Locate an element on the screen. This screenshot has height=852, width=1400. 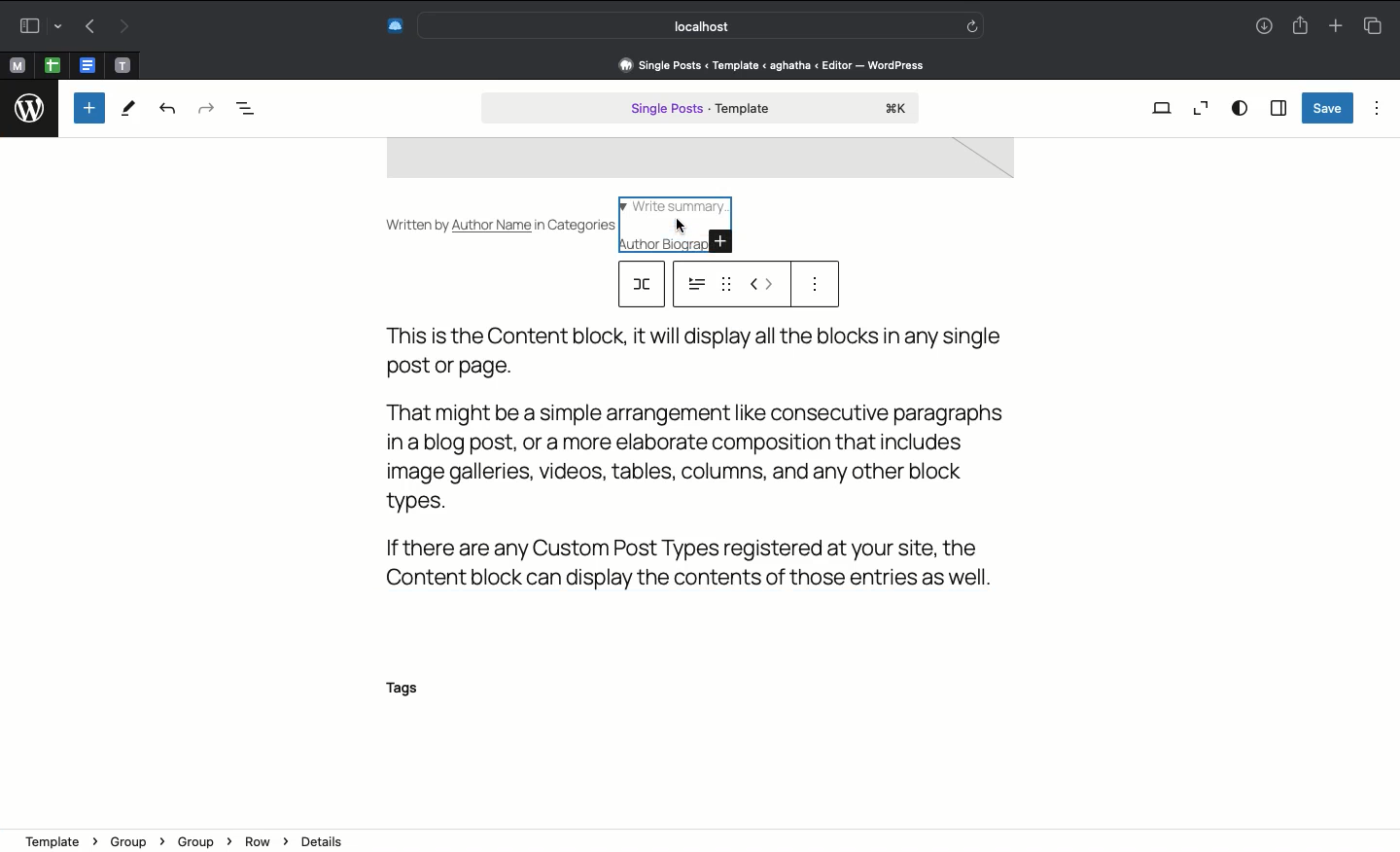
Group is located at coordinates (201, 840).